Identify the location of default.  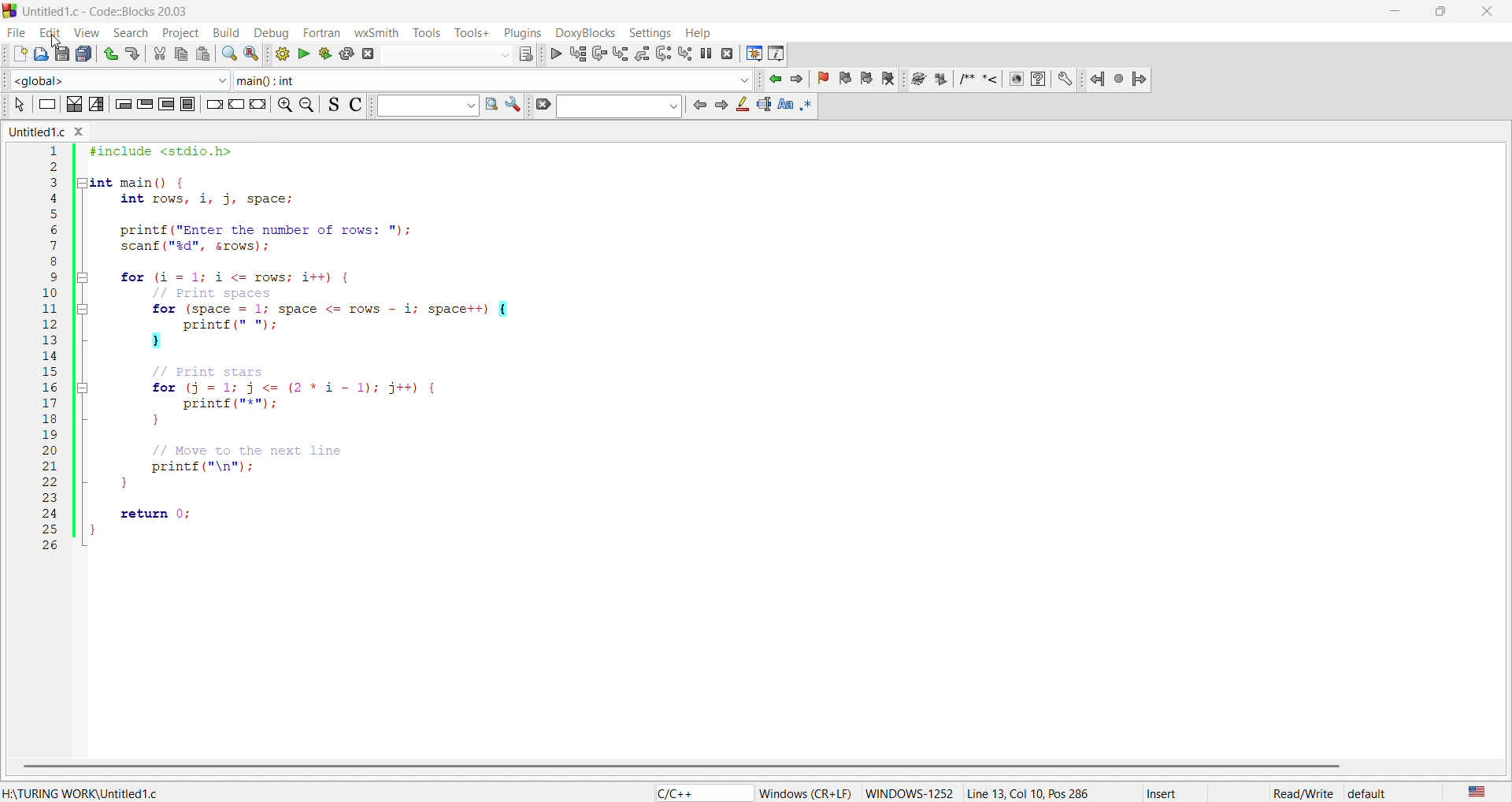
(1368, 793).